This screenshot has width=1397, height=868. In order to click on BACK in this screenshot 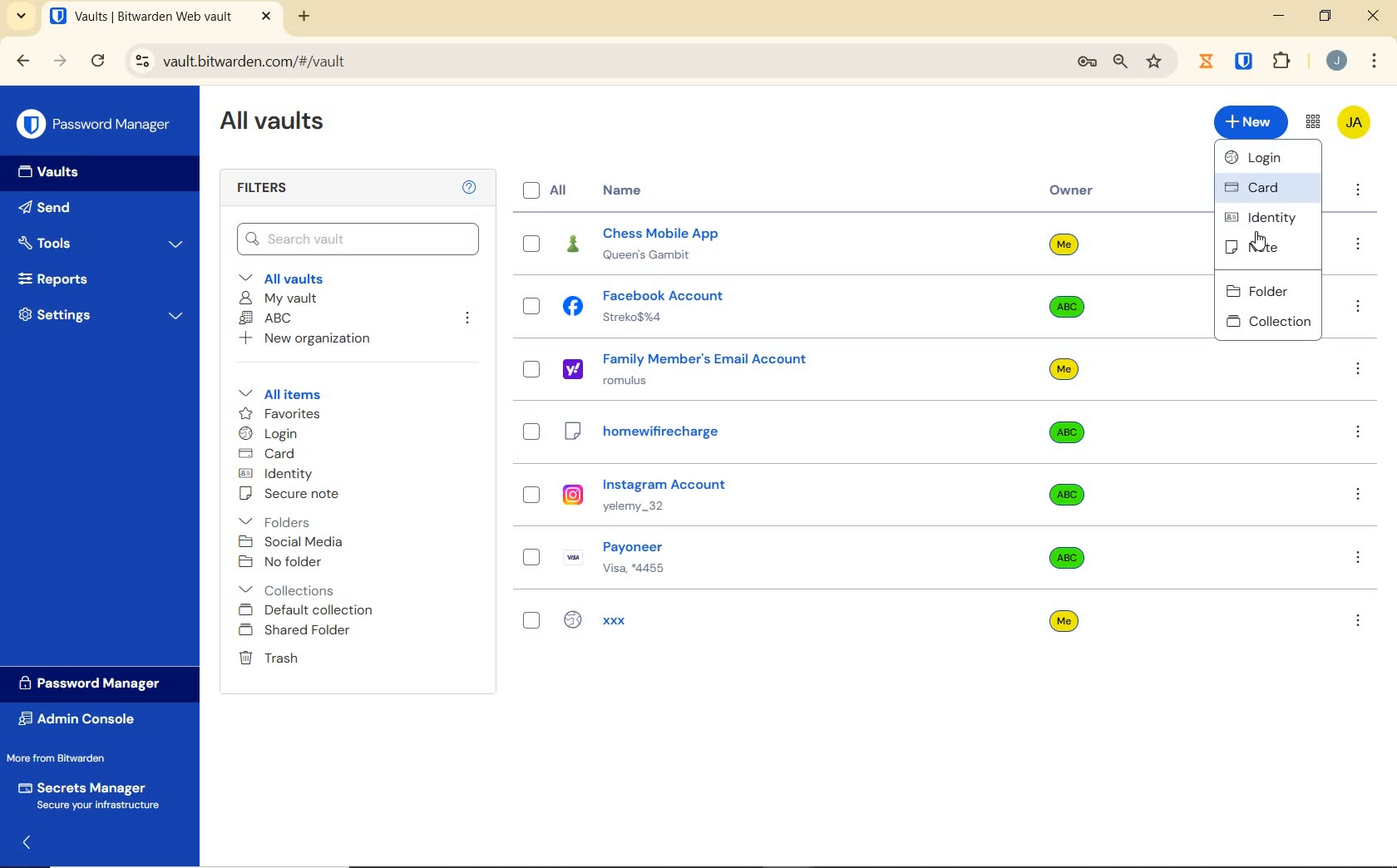, I will do `click(23, 60)`.